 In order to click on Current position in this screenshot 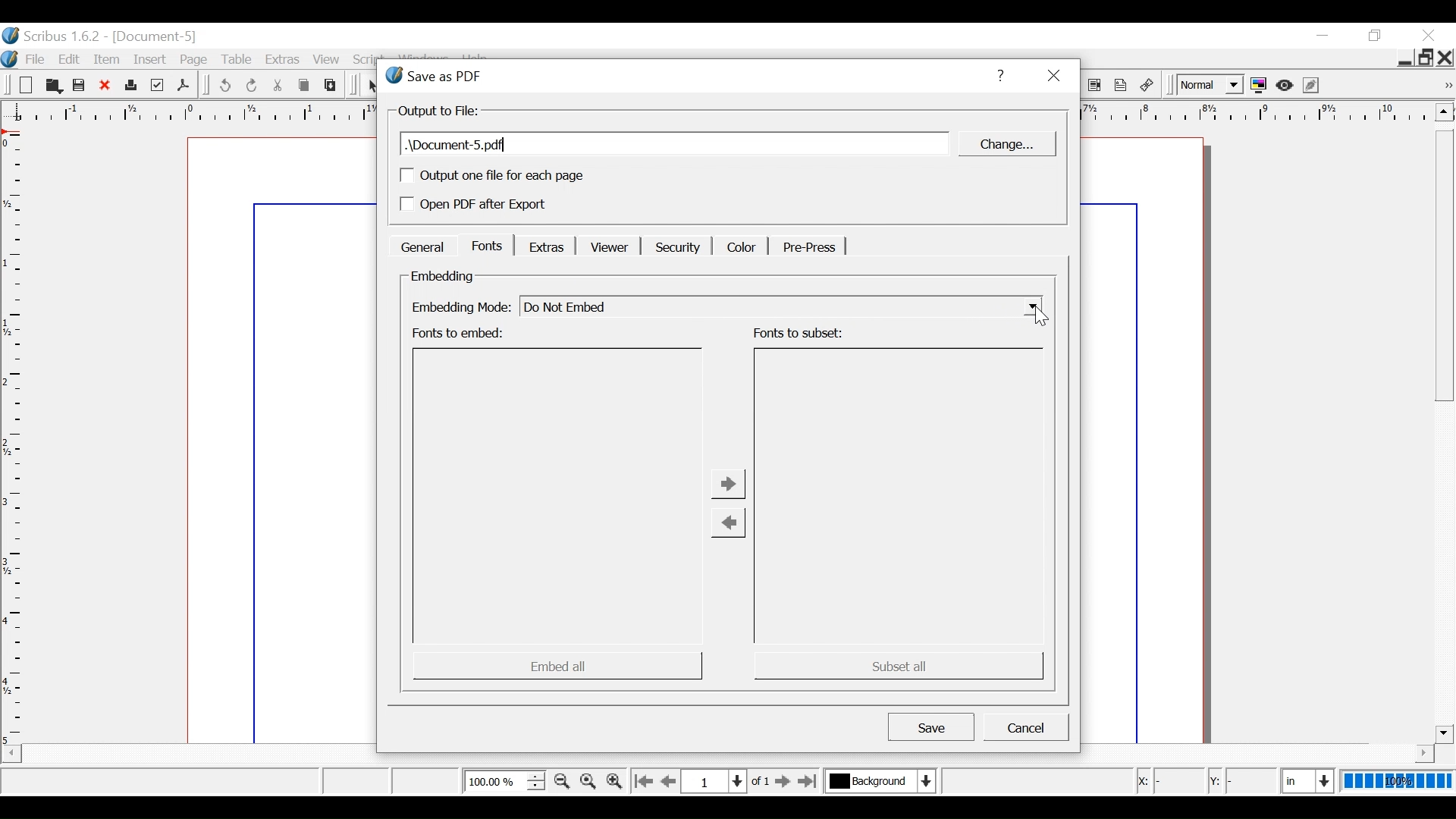, I will do `click(730, 780)`.